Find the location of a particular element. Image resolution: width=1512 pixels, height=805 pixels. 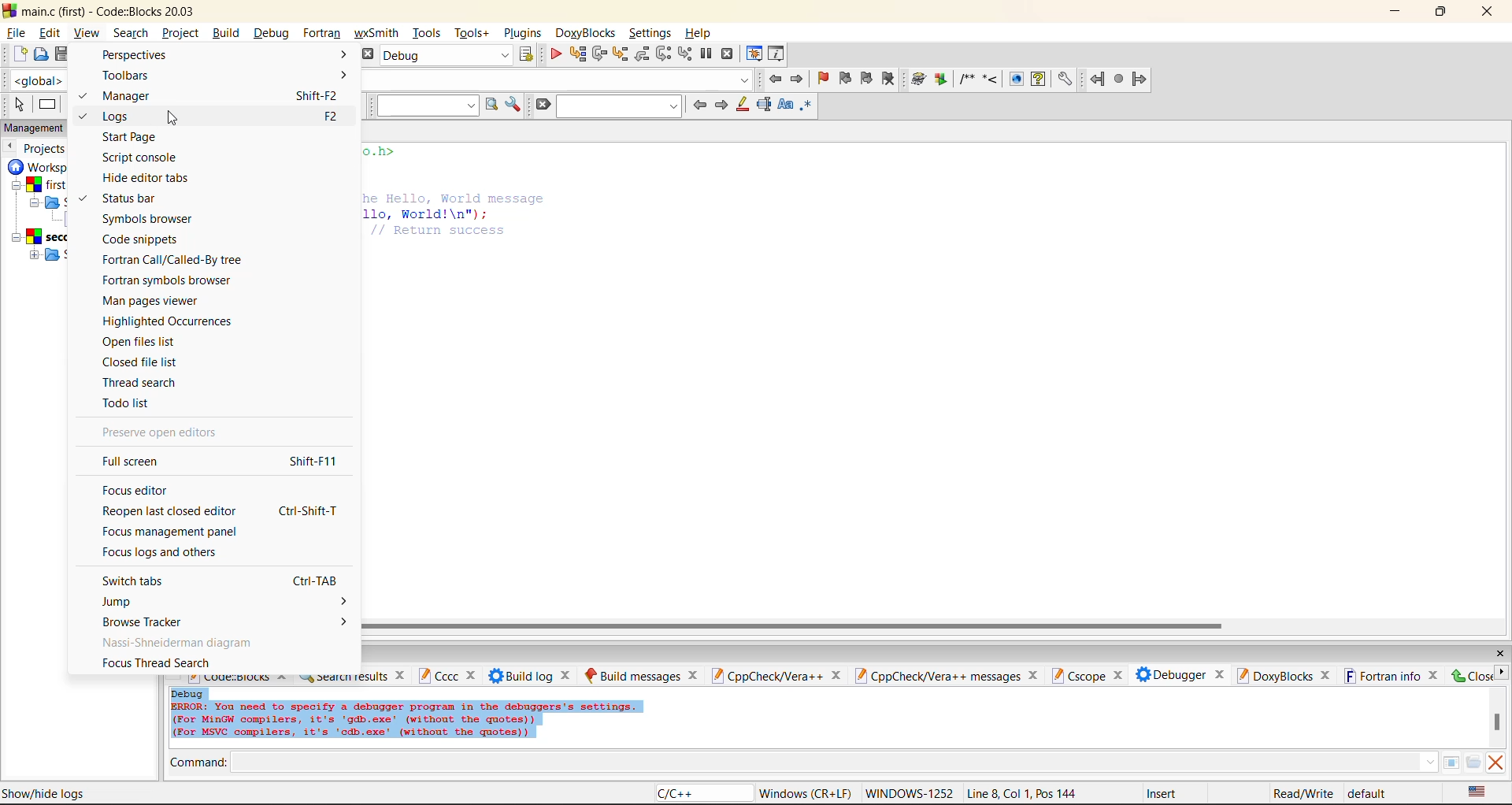

setting is located at coordinates (1065, 80).